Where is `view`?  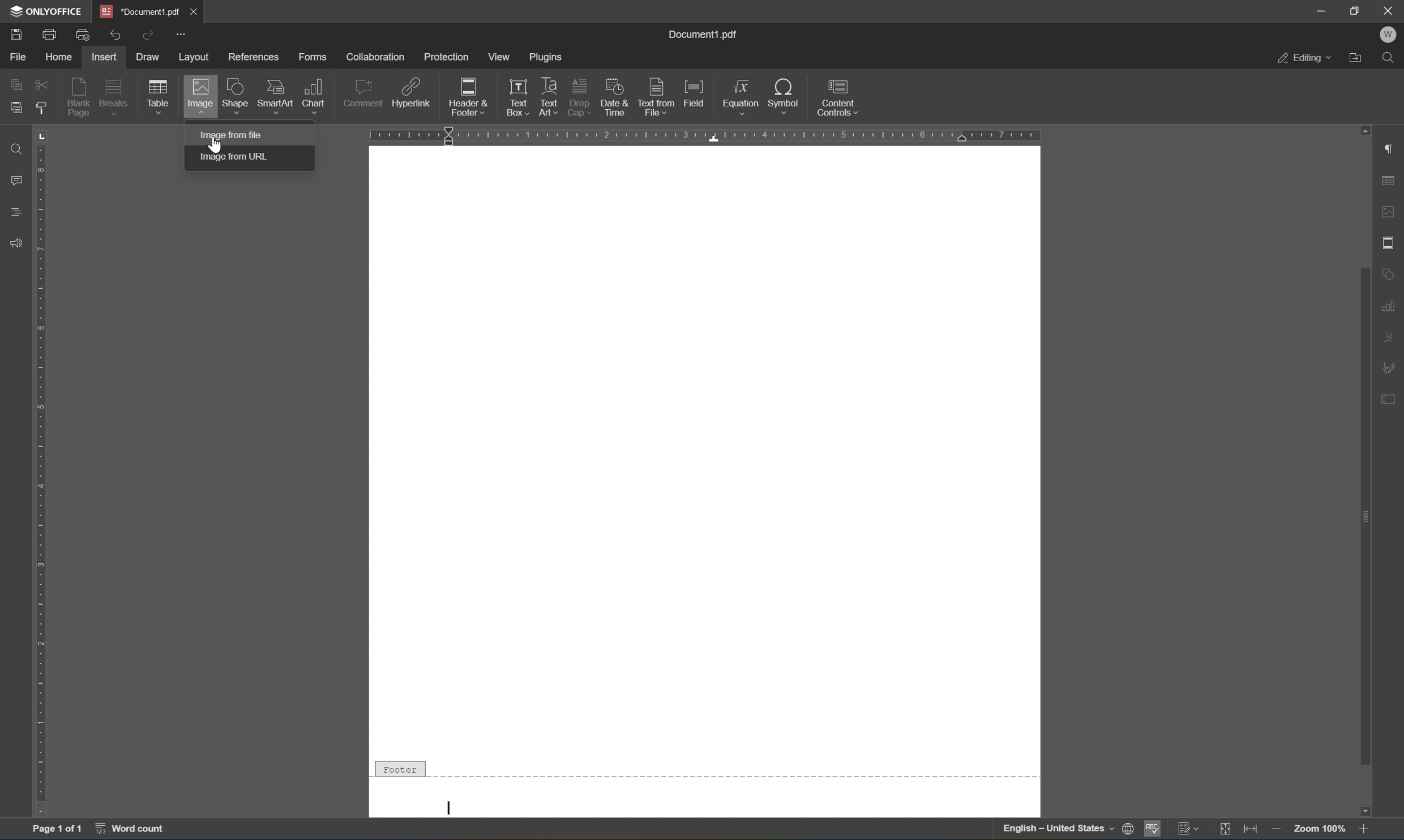 view is located at coordinates (496, 57).